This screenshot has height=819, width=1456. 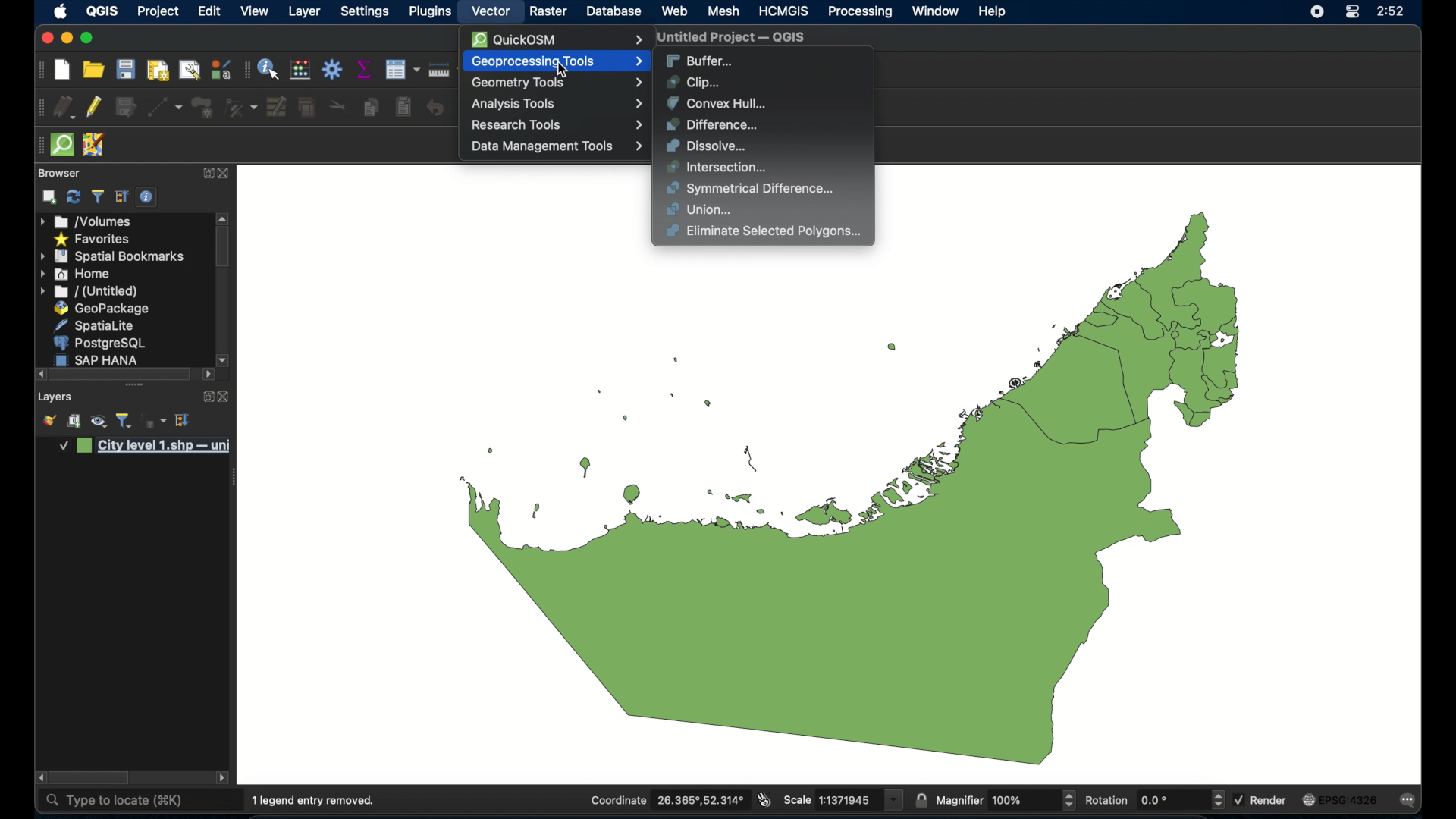 What do you see at coordinates (209, 11) in the screenshot?
I see `edit` at bounding box center [209, 11].